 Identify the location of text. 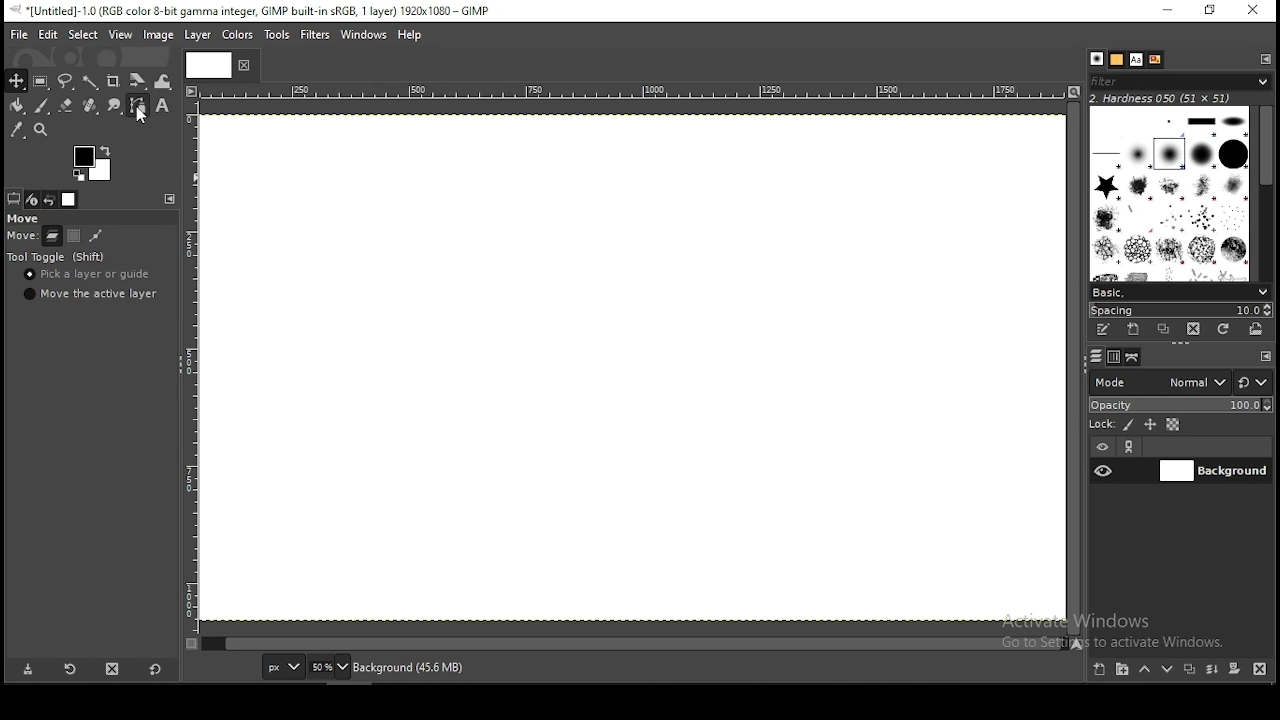
(1135, 59).